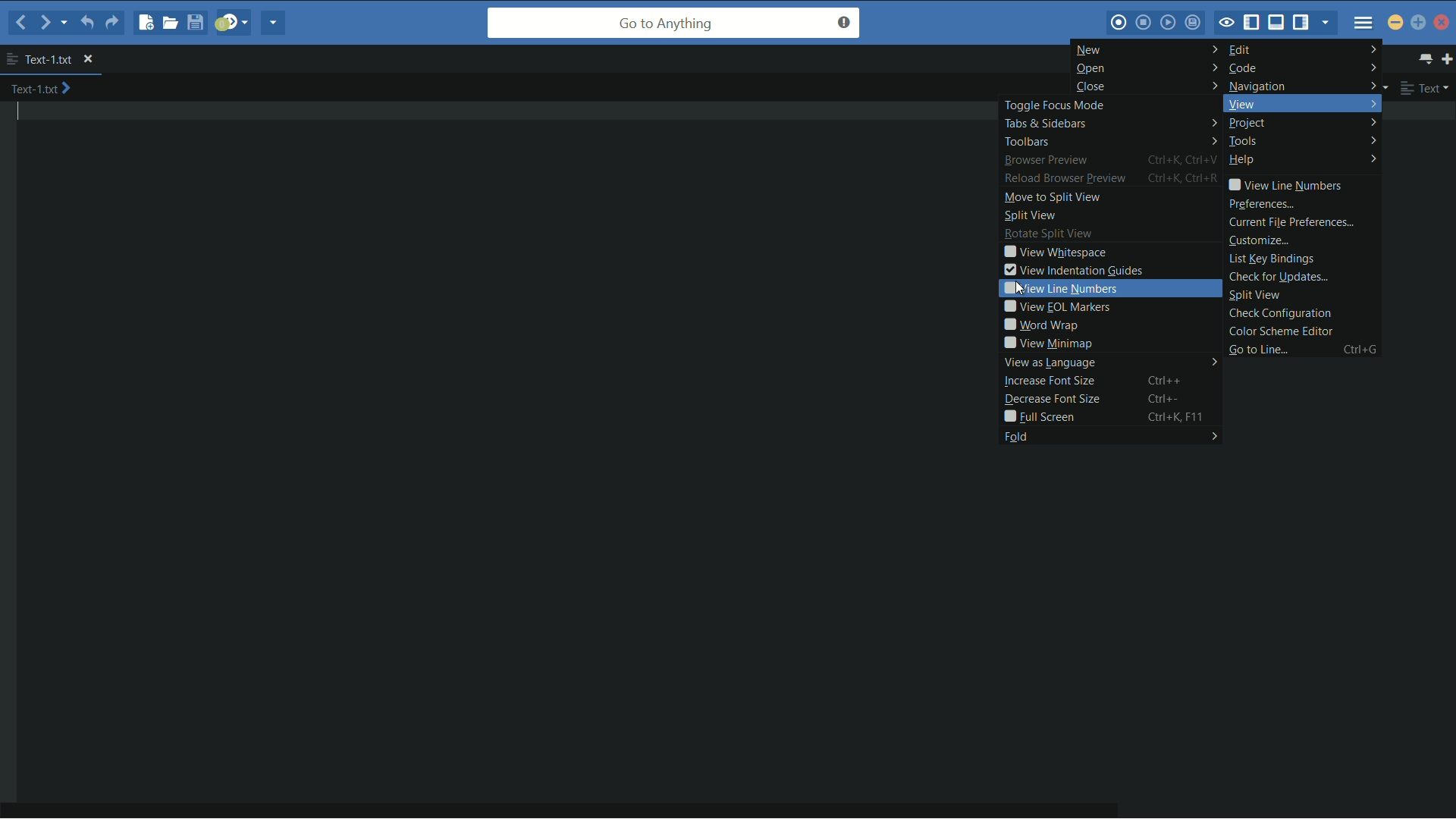 The height and width of the screenshot is (819, 1456). What do you see at coordinates (275, 24) in the screenshot?
I see `share current file` at bounding box center [275, 24].